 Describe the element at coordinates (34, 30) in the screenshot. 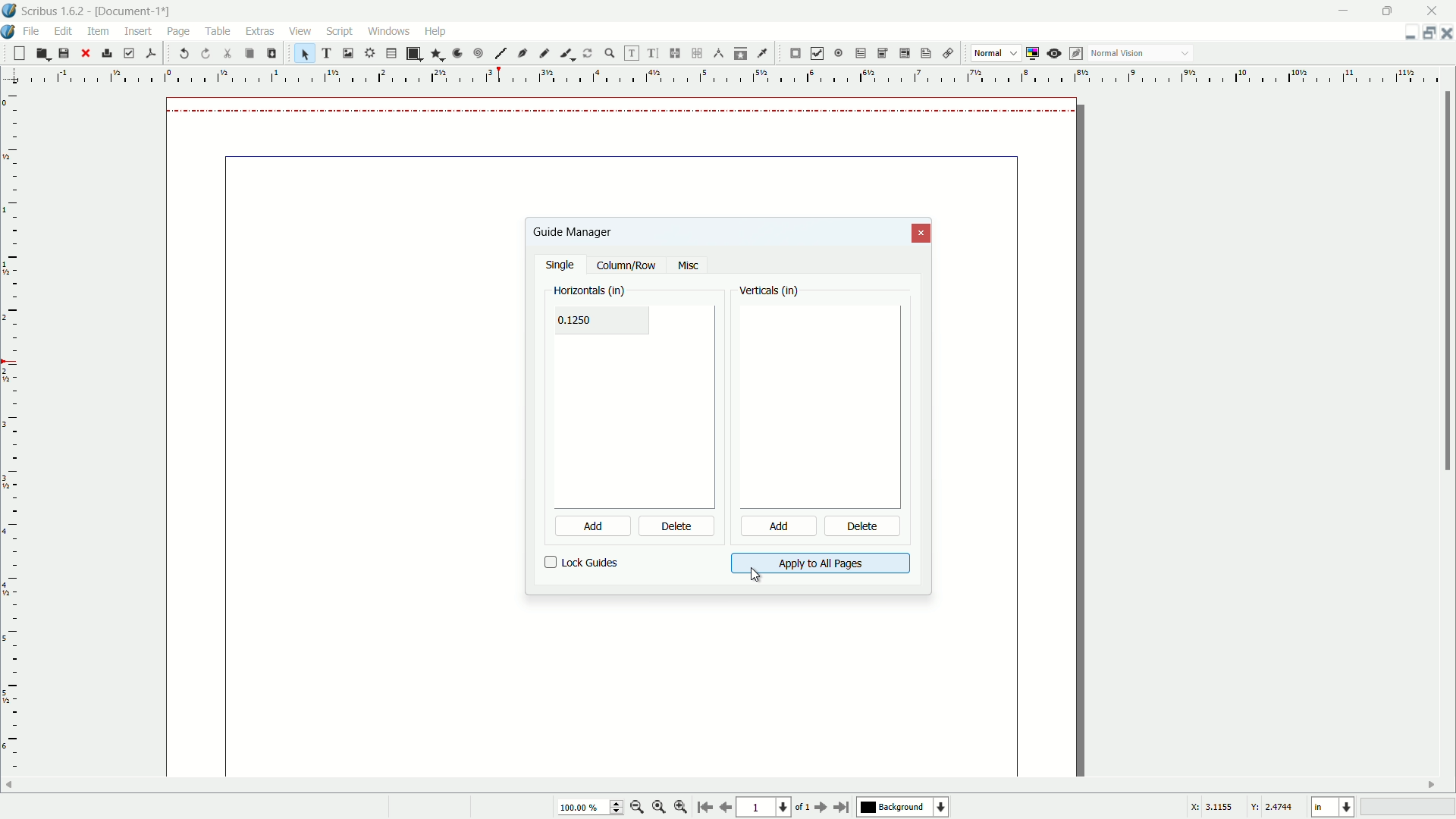

I see `file menu` at that location.